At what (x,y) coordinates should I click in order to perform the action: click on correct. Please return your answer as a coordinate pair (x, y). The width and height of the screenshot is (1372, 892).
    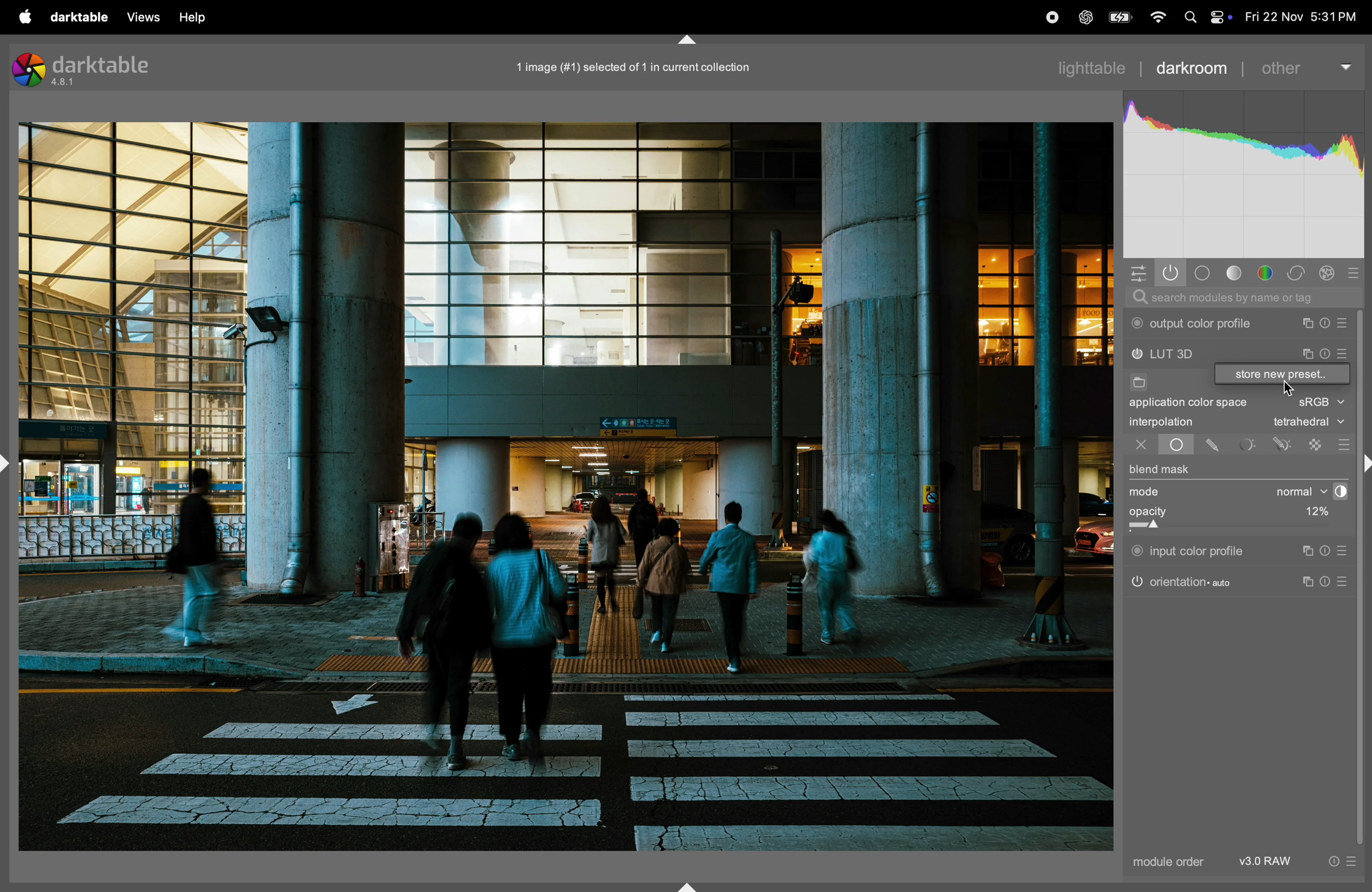
    Looking at the image, I should click on (1299, 273).